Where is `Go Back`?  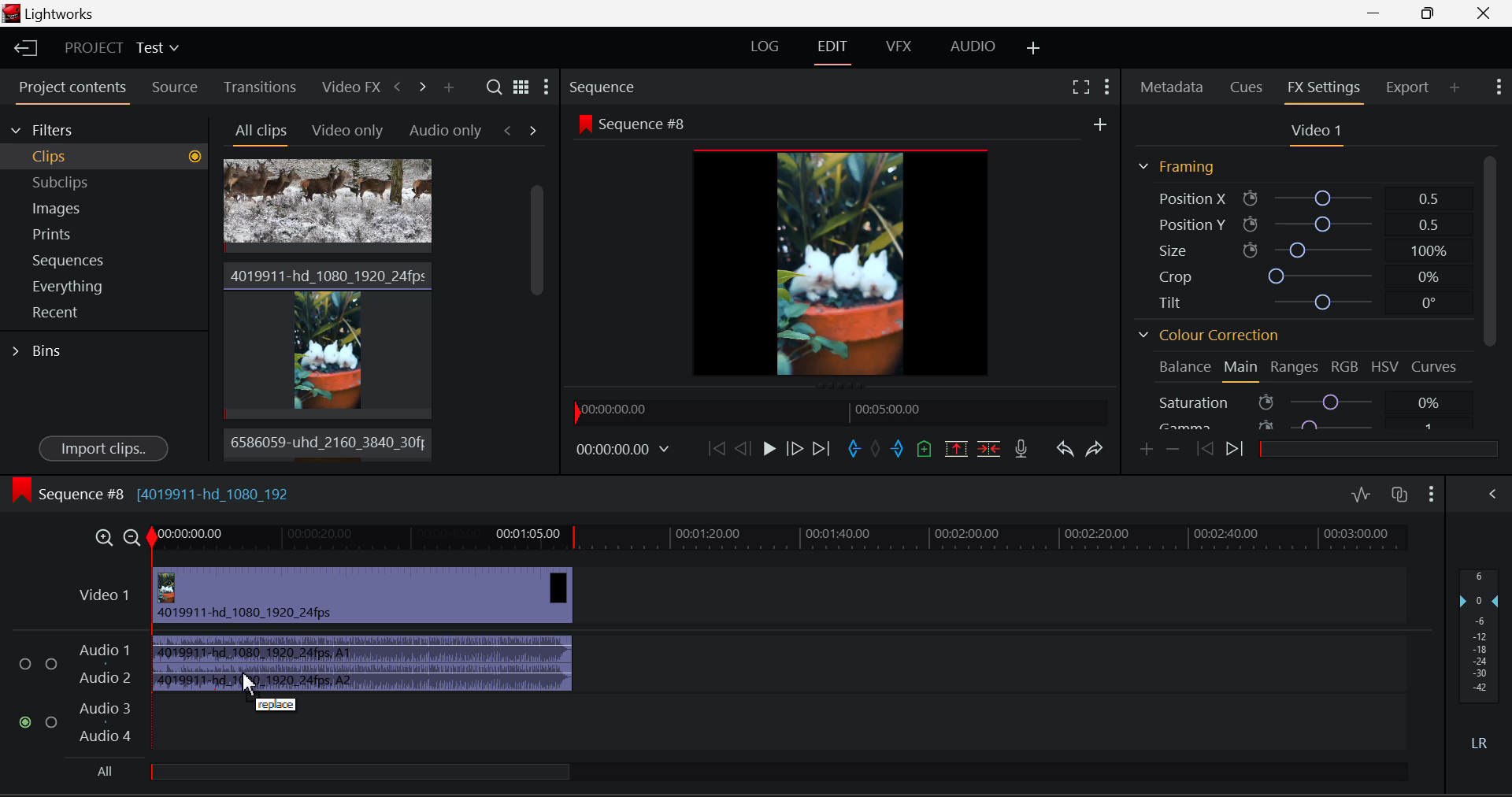 Go Back is located at coordinates (742, 447).